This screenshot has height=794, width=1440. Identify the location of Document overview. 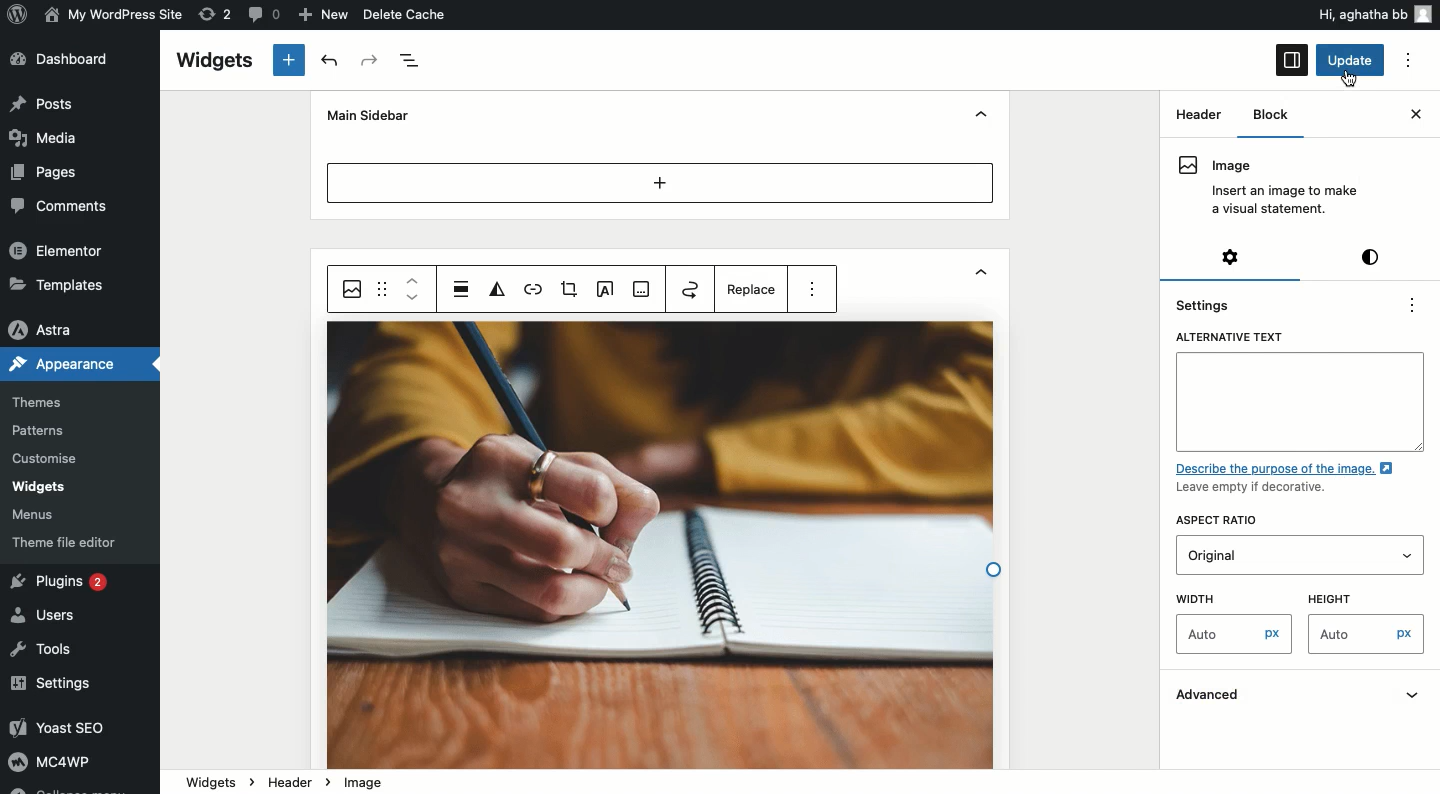
(412, 61).